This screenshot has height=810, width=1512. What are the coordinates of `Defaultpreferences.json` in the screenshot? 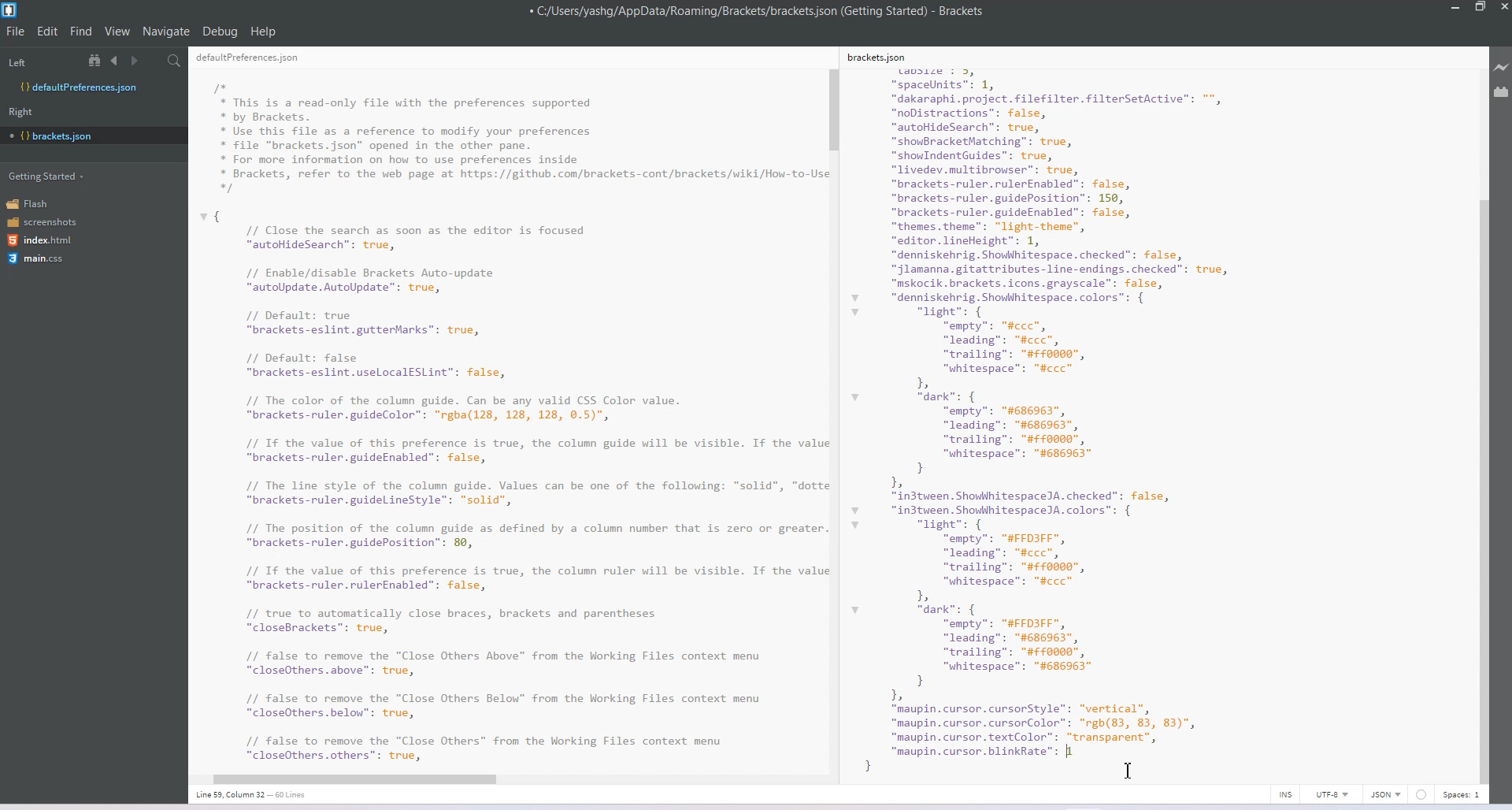 It's located at (93, 87).